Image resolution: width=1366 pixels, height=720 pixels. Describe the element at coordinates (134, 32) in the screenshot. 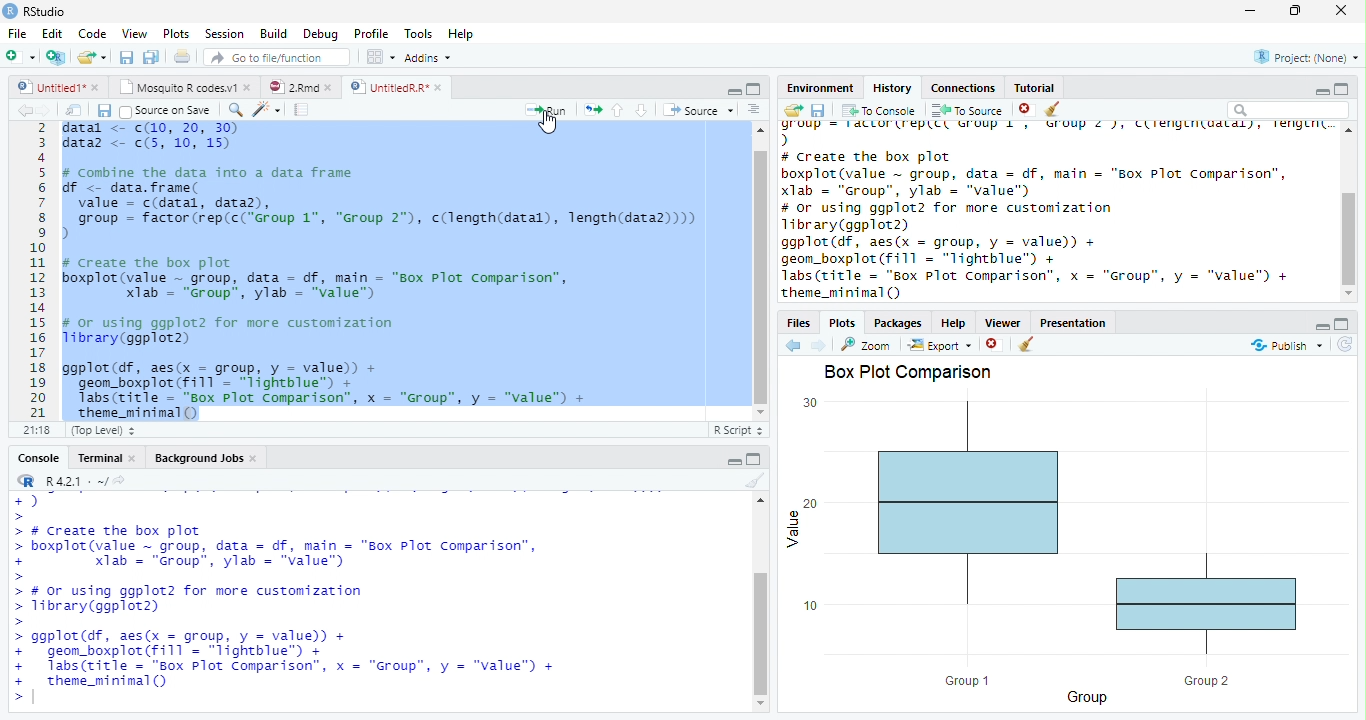

I see `View` at that location.